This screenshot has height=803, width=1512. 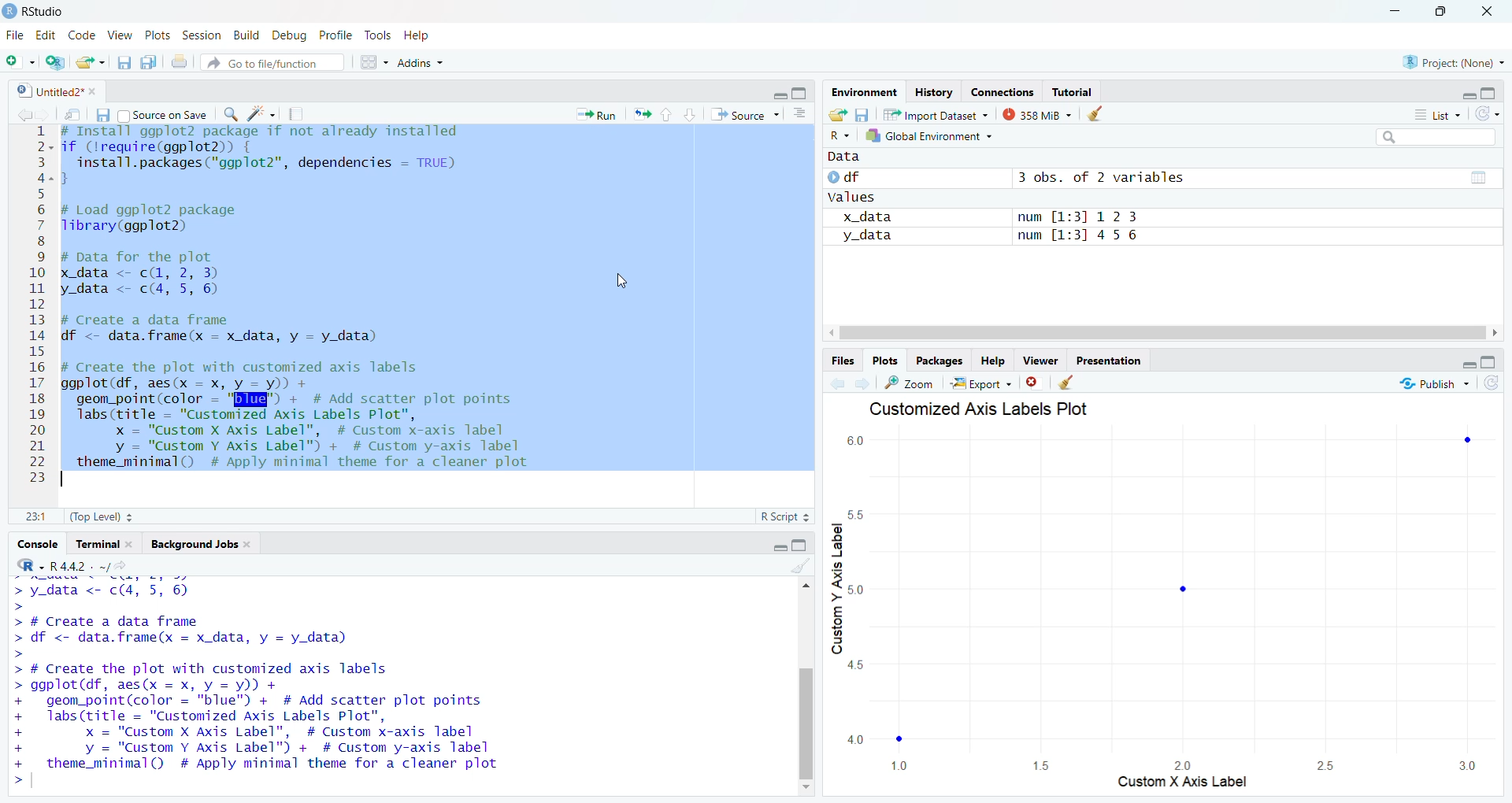 I want to click on Edit, so click(x=47, y=35).